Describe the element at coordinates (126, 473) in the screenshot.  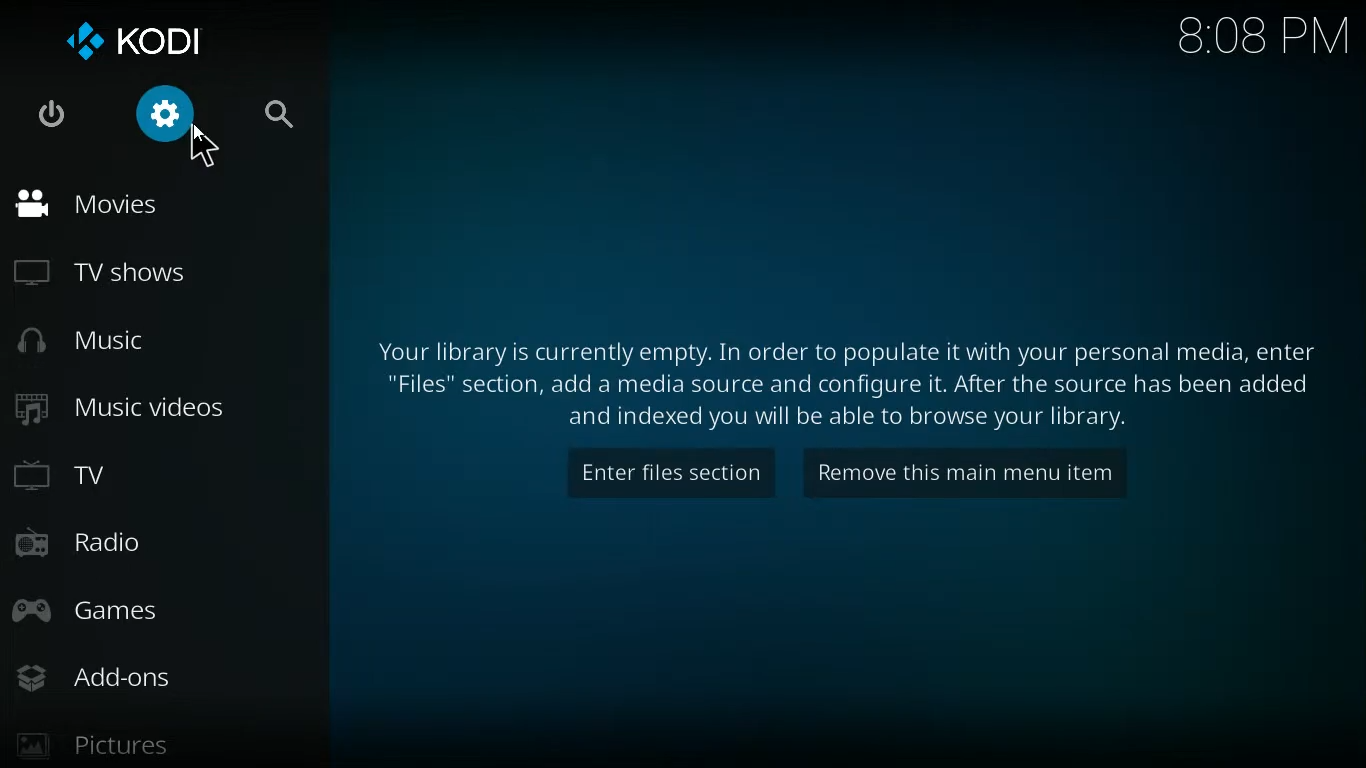
I see `tv` at that location.